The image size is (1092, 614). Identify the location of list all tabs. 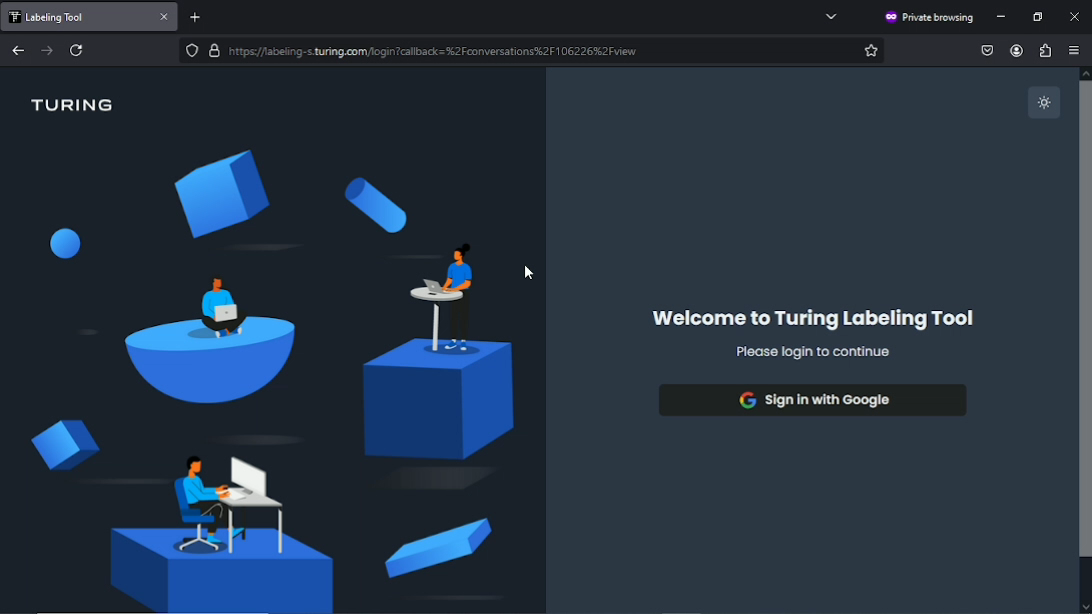
(832, 16).